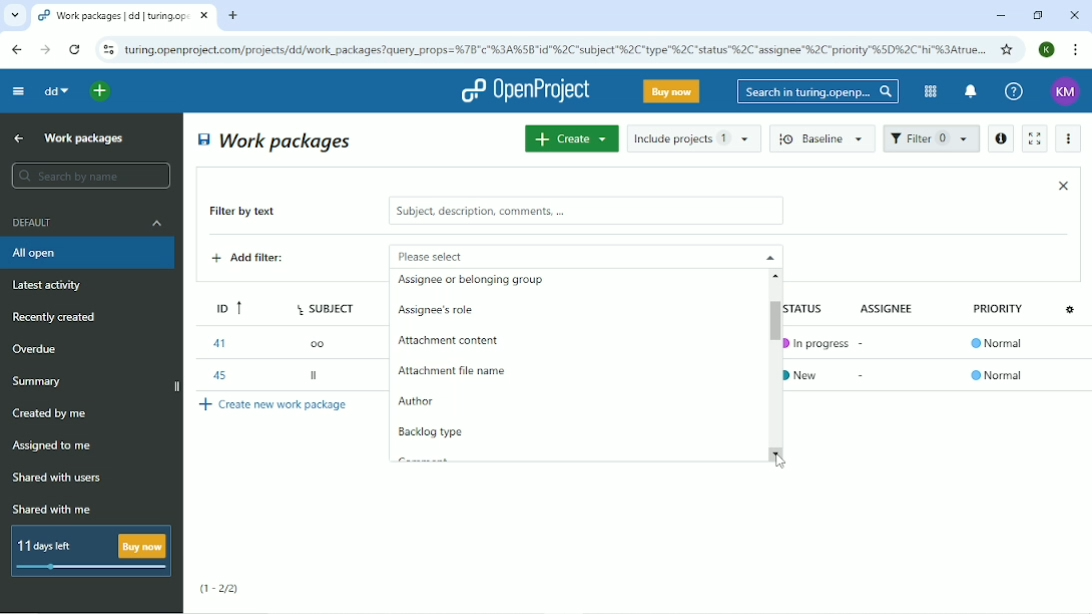 The width and height of the screenshot is (1092, 614). I want to click on Buy now, so click(672, 91).